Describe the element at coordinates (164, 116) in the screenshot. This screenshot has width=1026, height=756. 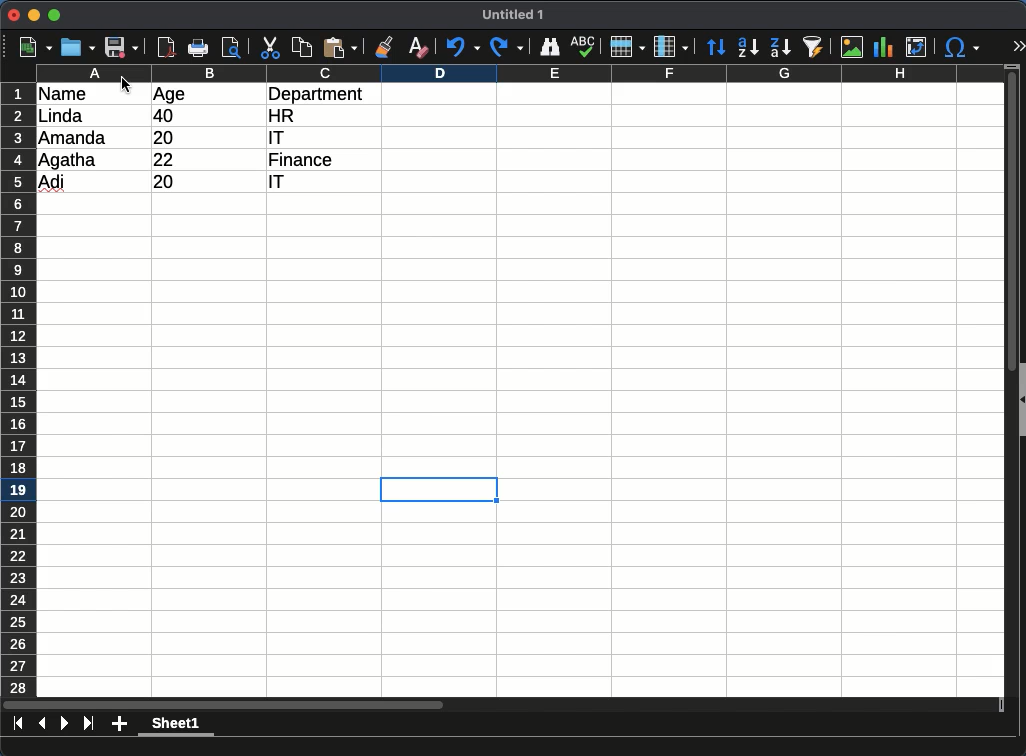
I see `40` at that location.